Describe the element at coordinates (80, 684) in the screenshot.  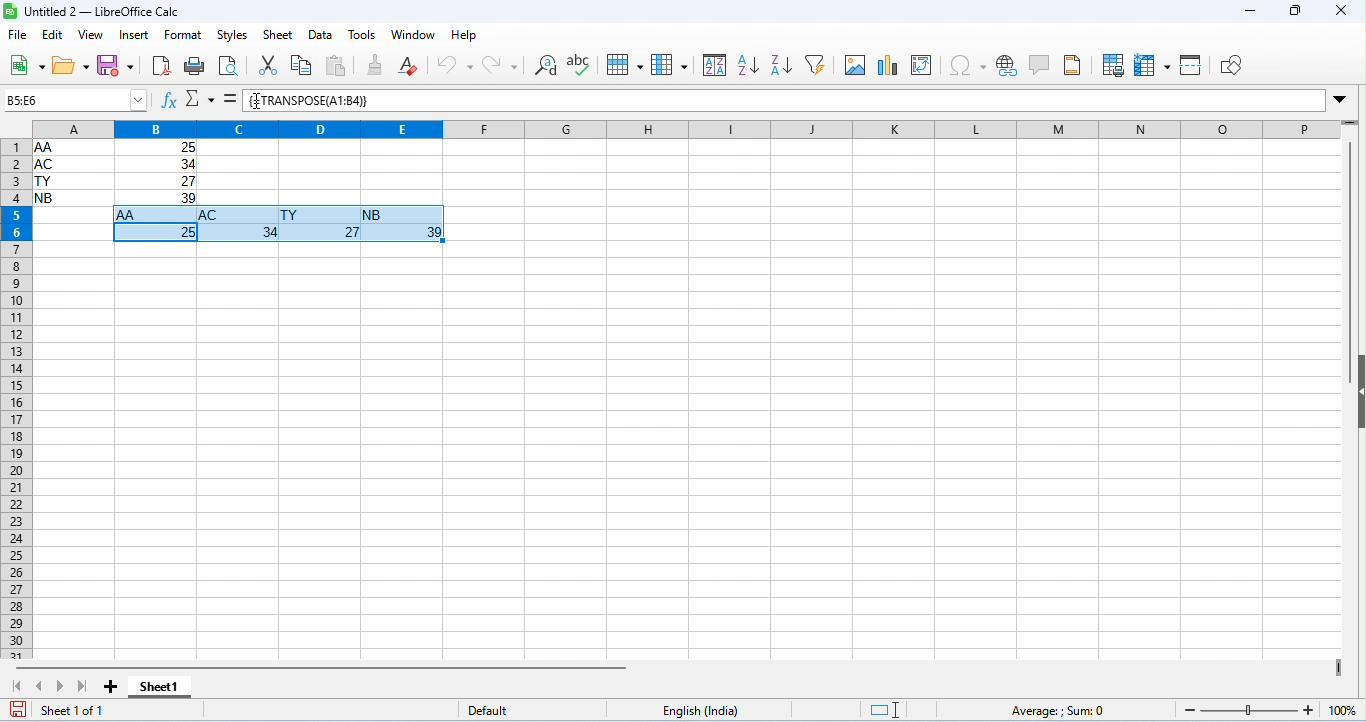
I see `last sheet` at that location.